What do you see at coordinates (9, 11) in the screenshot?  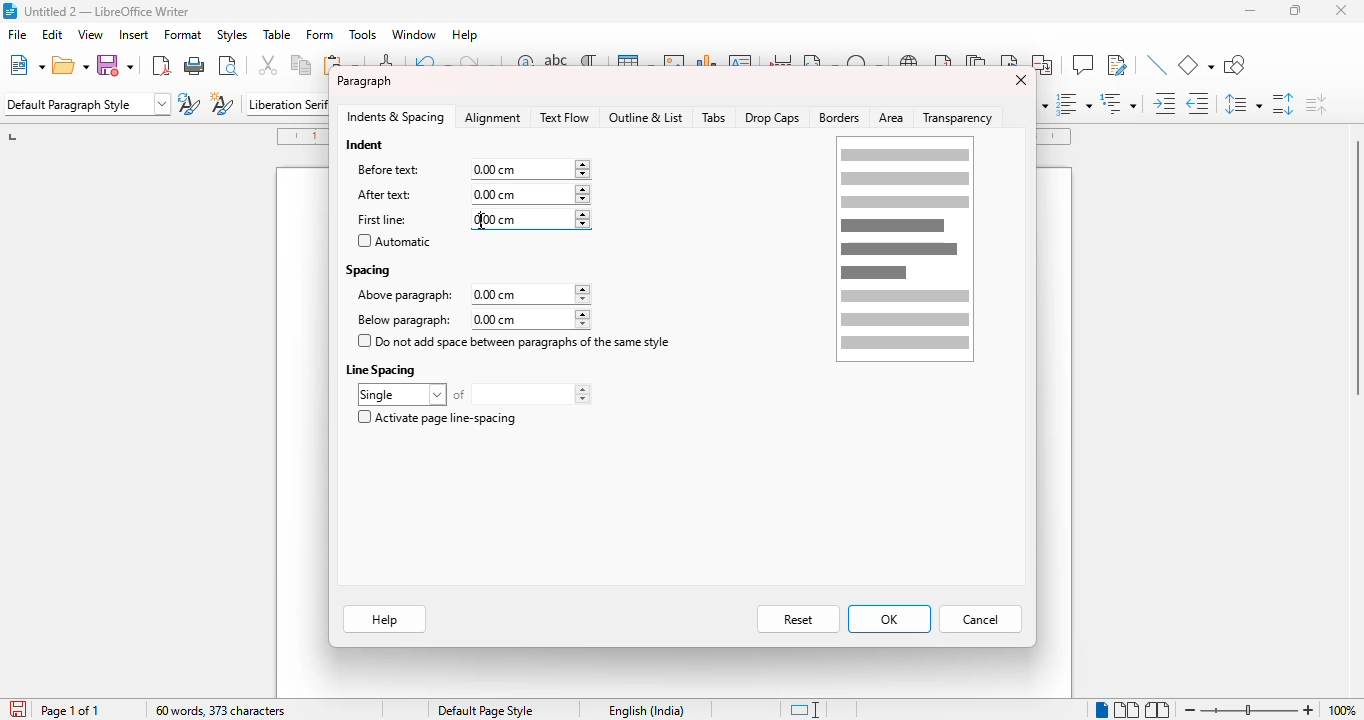 I see `logo` at bounding box center [9, 11].